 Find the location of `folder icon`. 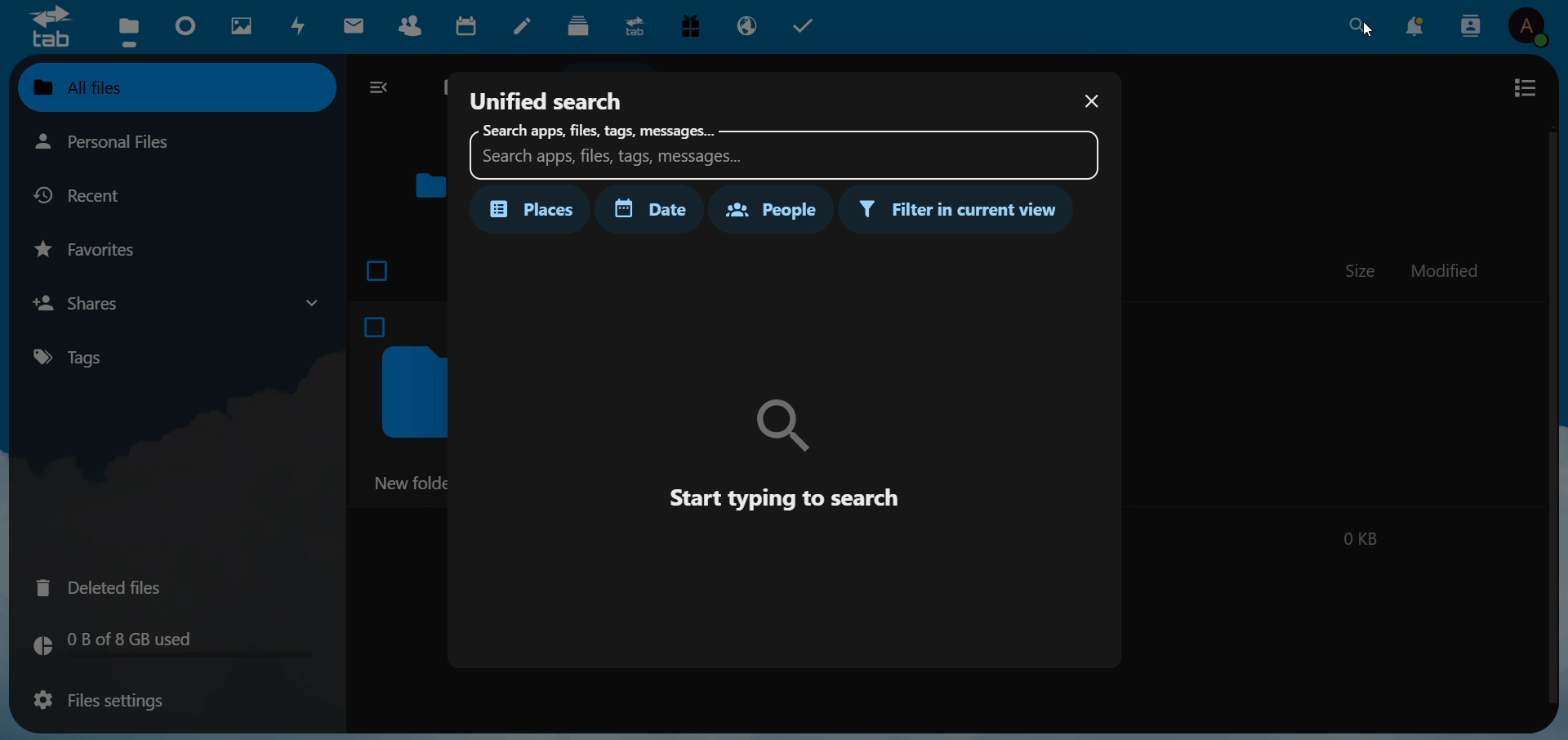

folder icon is located at coordinates (426, 186).